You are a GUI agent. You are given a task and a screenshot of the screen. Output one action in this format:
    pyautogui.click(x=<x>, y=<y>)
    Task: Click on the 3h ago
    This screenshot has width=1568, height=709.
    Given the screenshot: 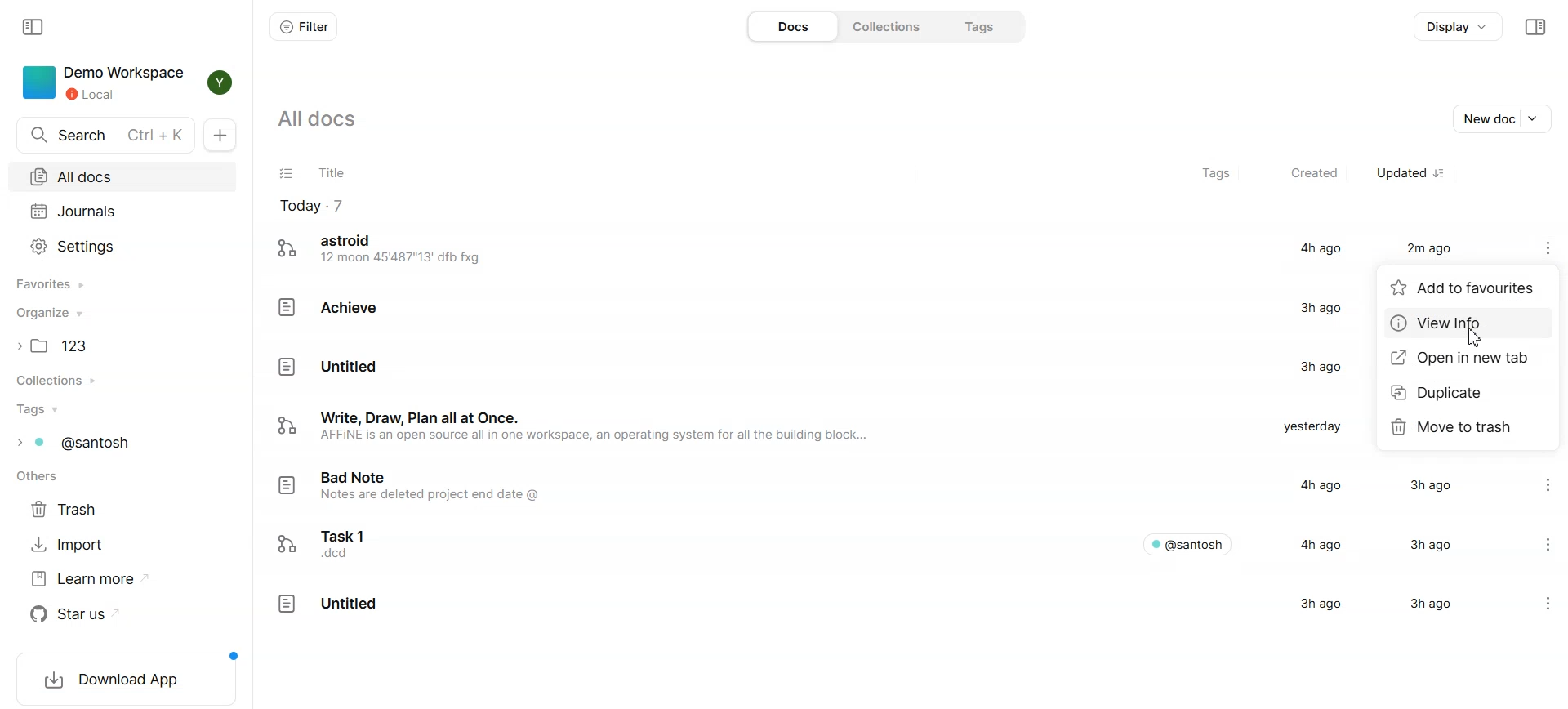 What is the action you would take?
    pyautogui.click(x=1320, y=307)
    